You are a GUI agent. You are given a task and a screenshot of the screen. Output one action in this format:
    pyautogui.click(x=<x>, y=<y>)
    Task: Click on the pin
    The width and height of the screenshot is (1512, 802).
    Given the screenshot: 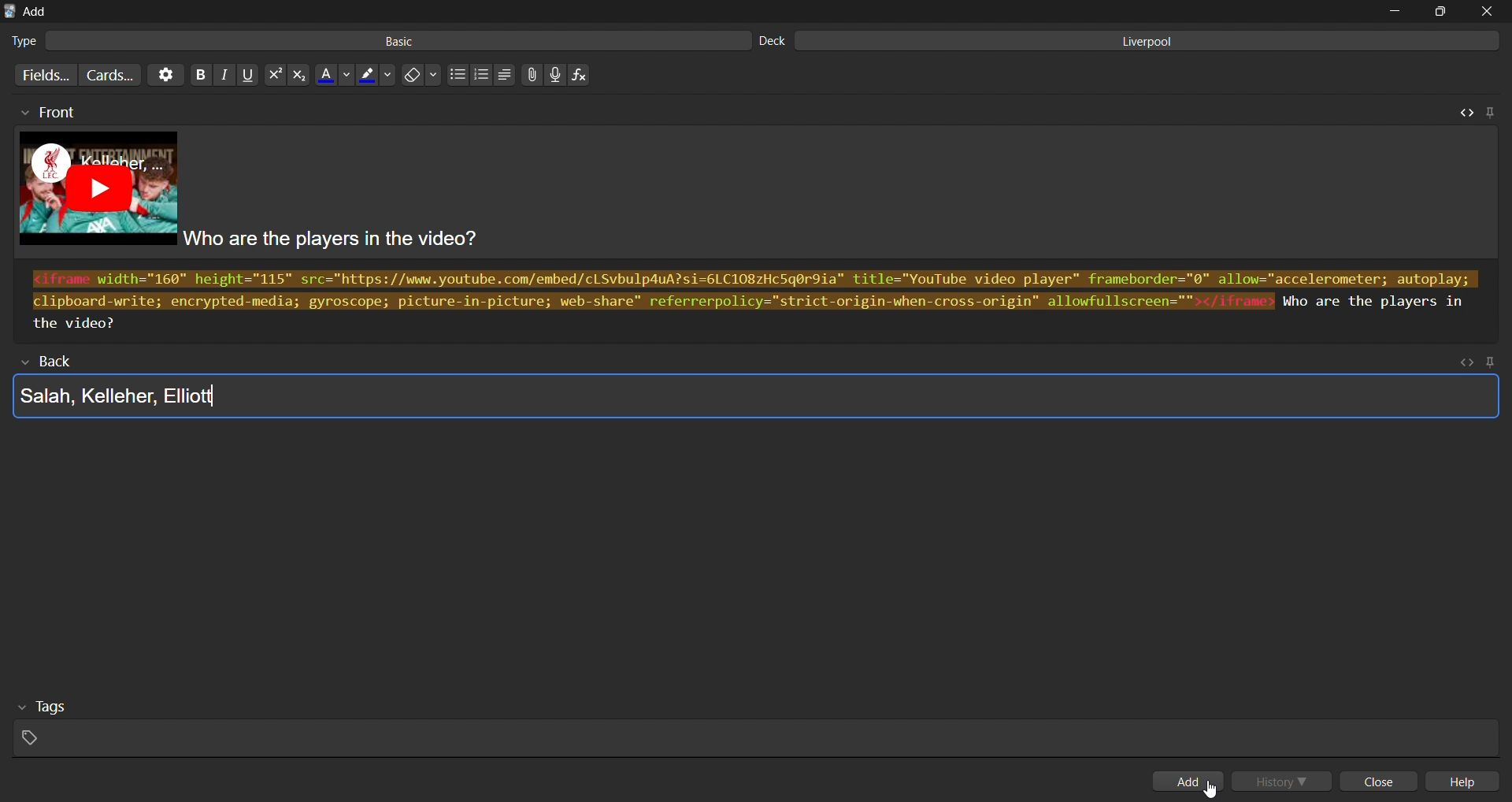 What is the action you would take?
    pyautogui.click(x=1489, y=111)
    